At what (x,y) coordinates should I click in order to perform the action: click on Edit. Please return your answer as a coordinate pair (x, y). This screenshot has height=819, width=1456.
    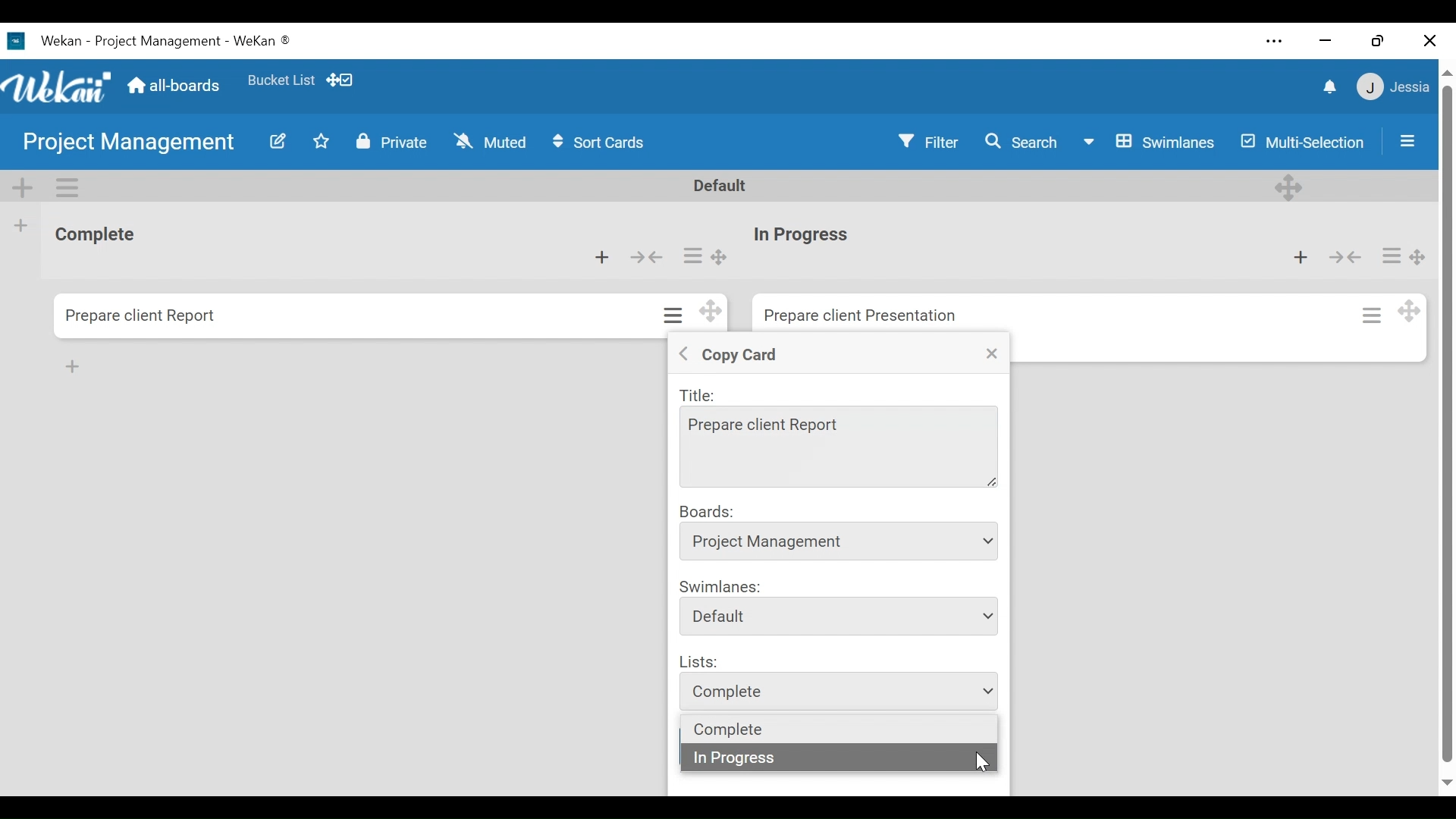
    Looking at the image, I should click on (280, 141).